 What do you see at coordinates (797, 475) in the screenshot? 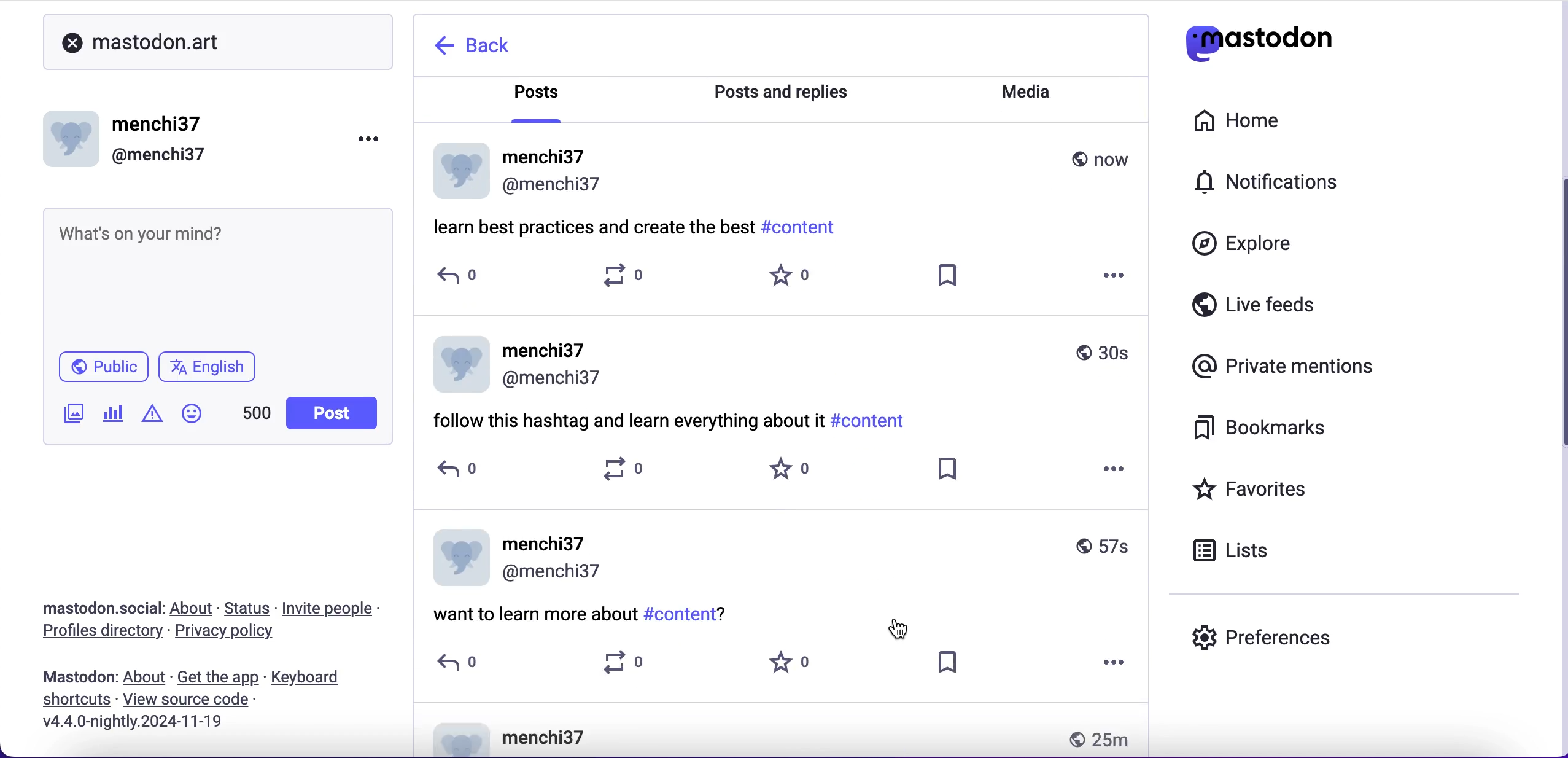
I see `0 favorites` at bounding box center [797, 475].